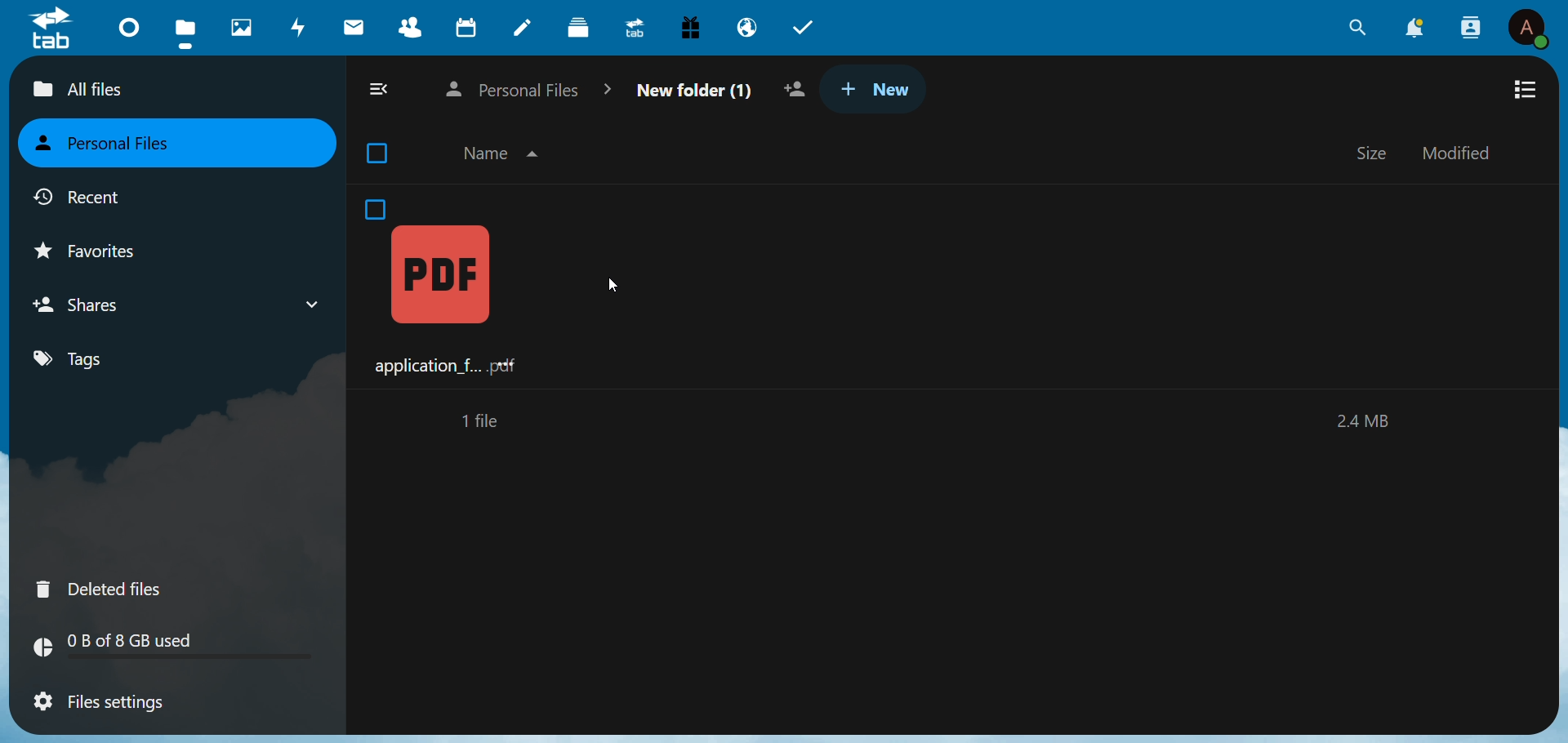 This screenshot has height=743, width=1568. I want to click on logo, so click(53, 29).